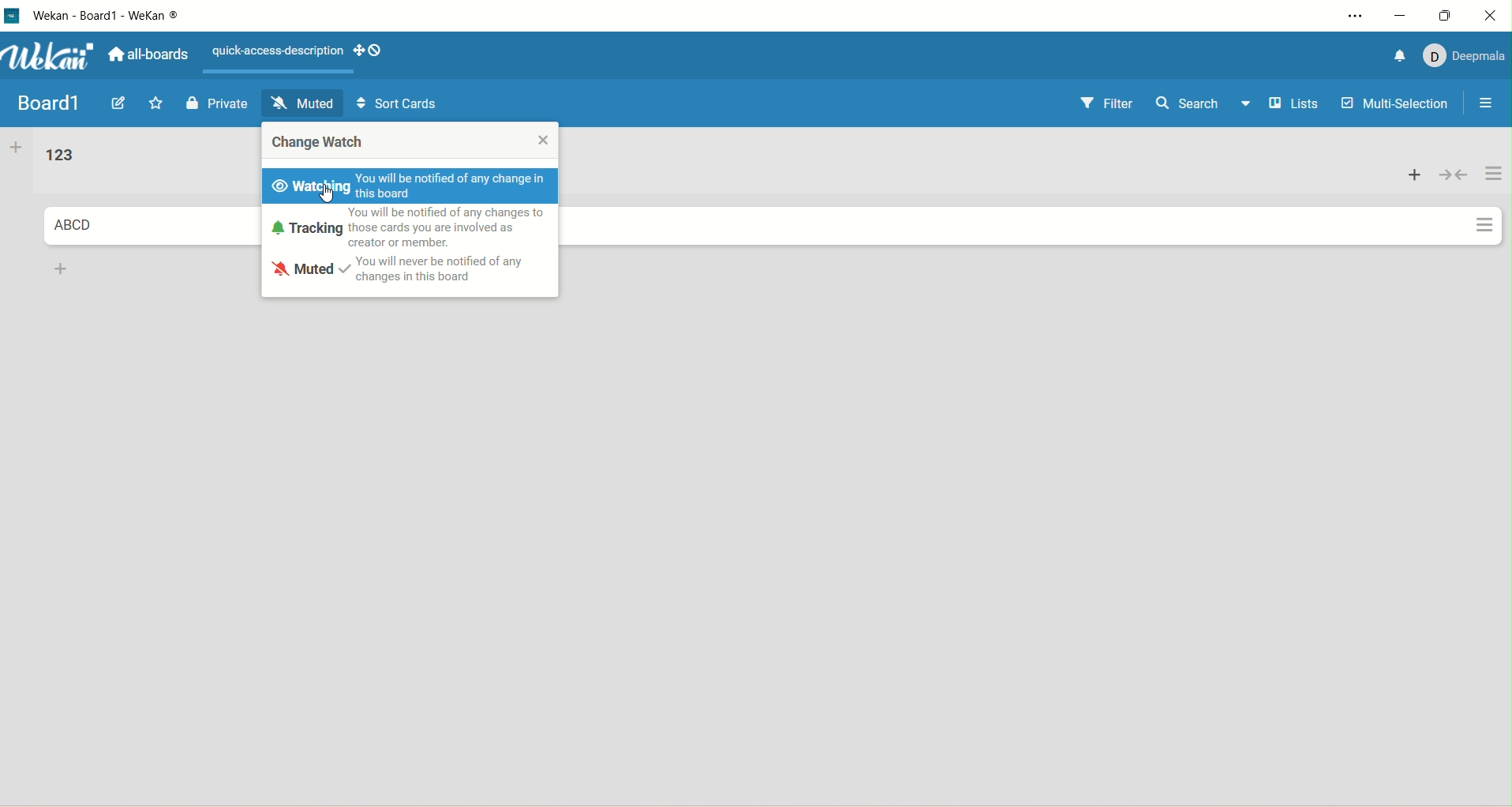 Image resolution: width=1512 pixels, height=807 pixels. What do you see at coordinates (1349, 18) in the screenshot?
I see `options` at bounding box center [1349, 18].